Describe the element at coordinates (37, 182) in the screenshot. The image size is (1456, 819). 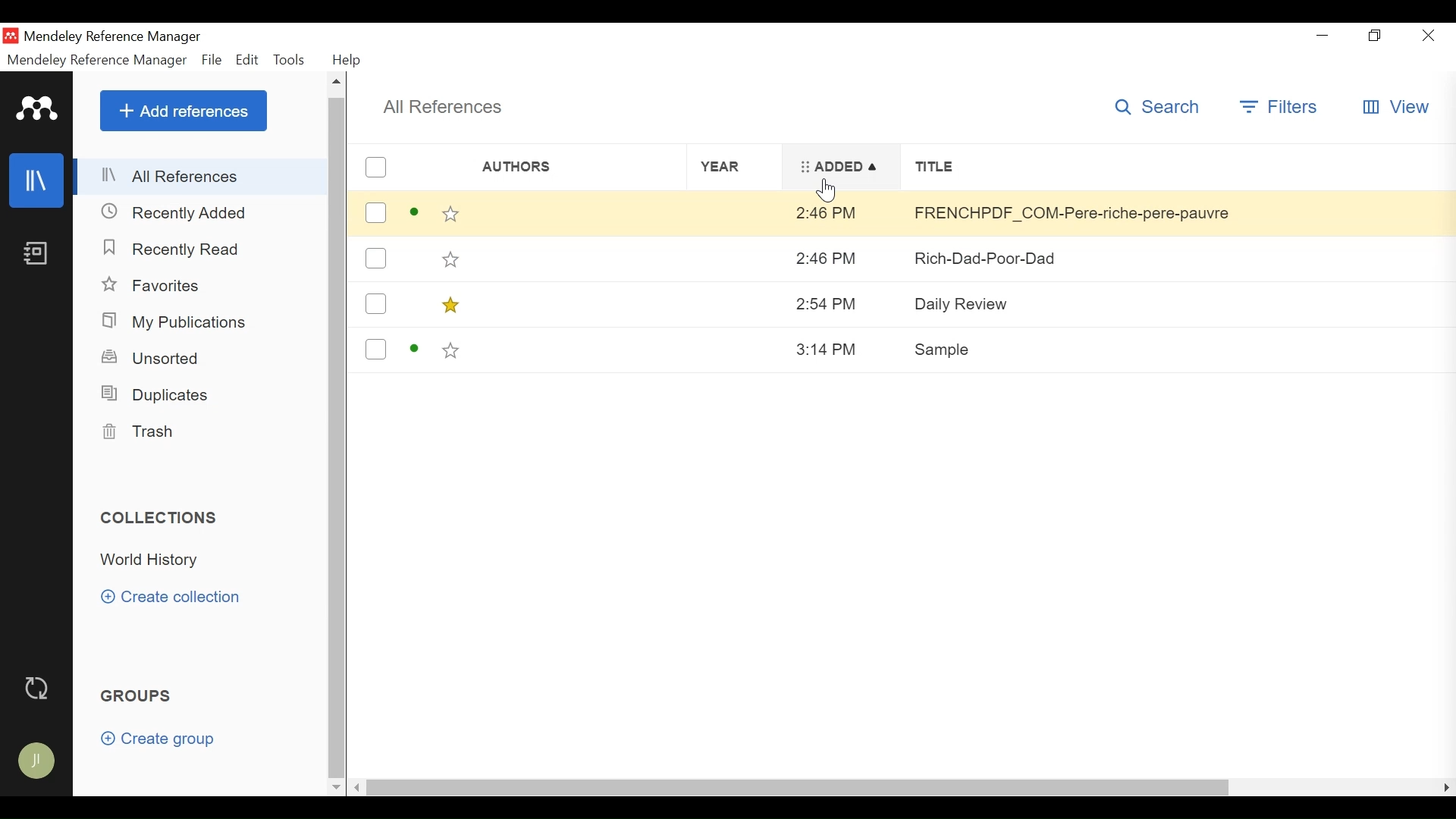
I see `Library` at that location.